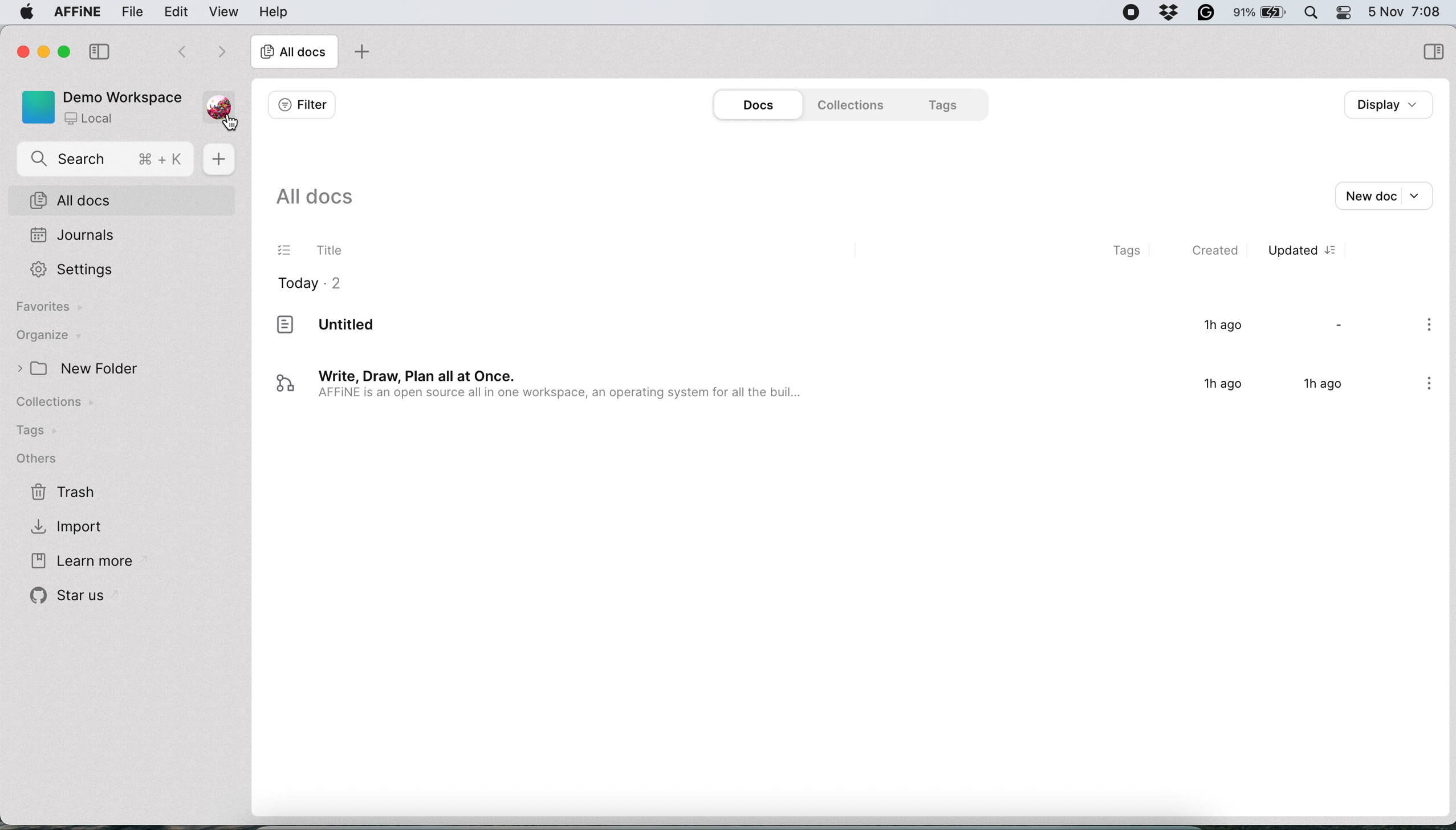  What do you see at coordinates (76, 13) in the screenshot?
I see `affine` at bounding box center [76, 13].